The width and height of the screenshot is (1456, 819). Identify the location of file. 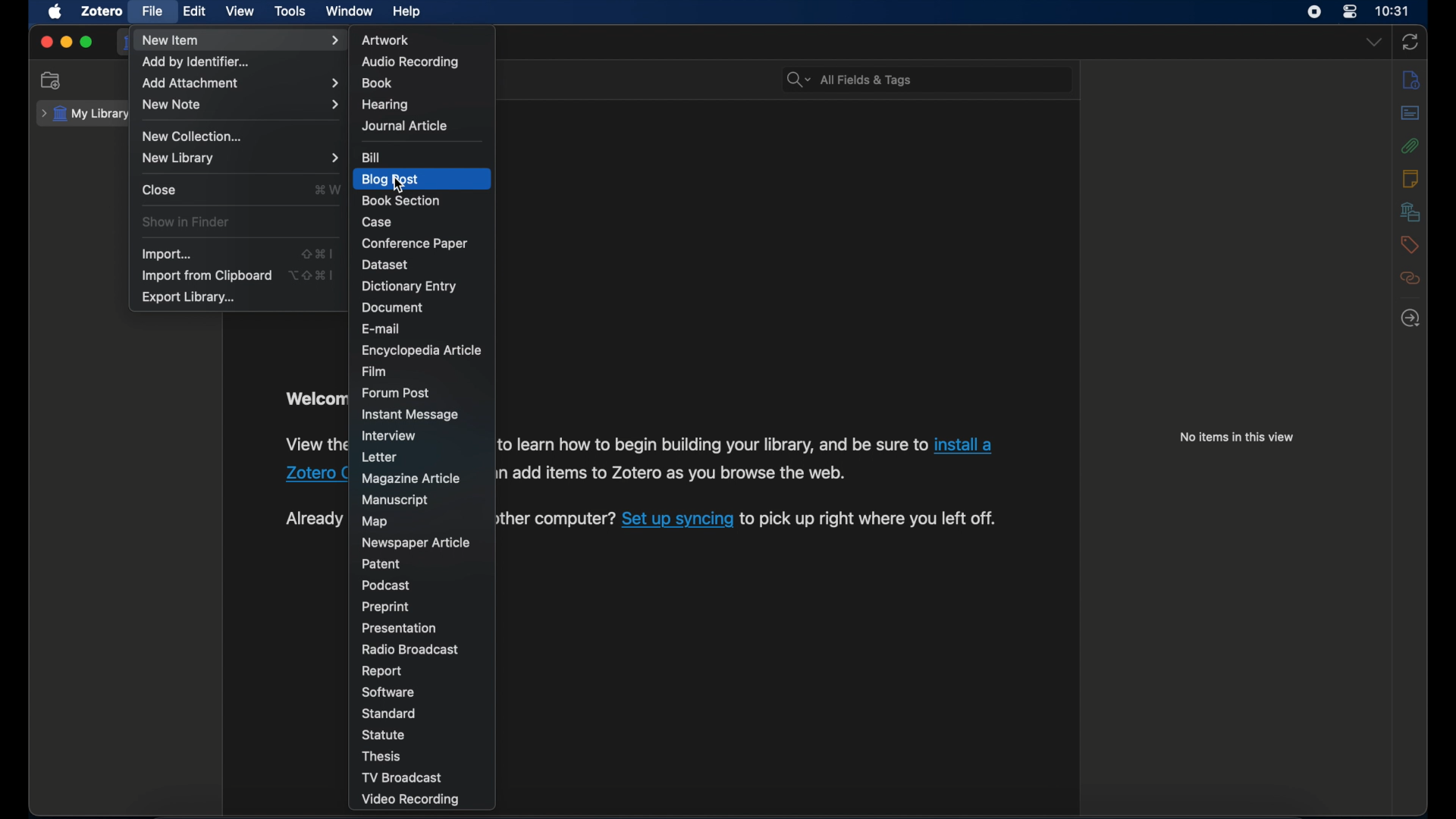
(152, 11).